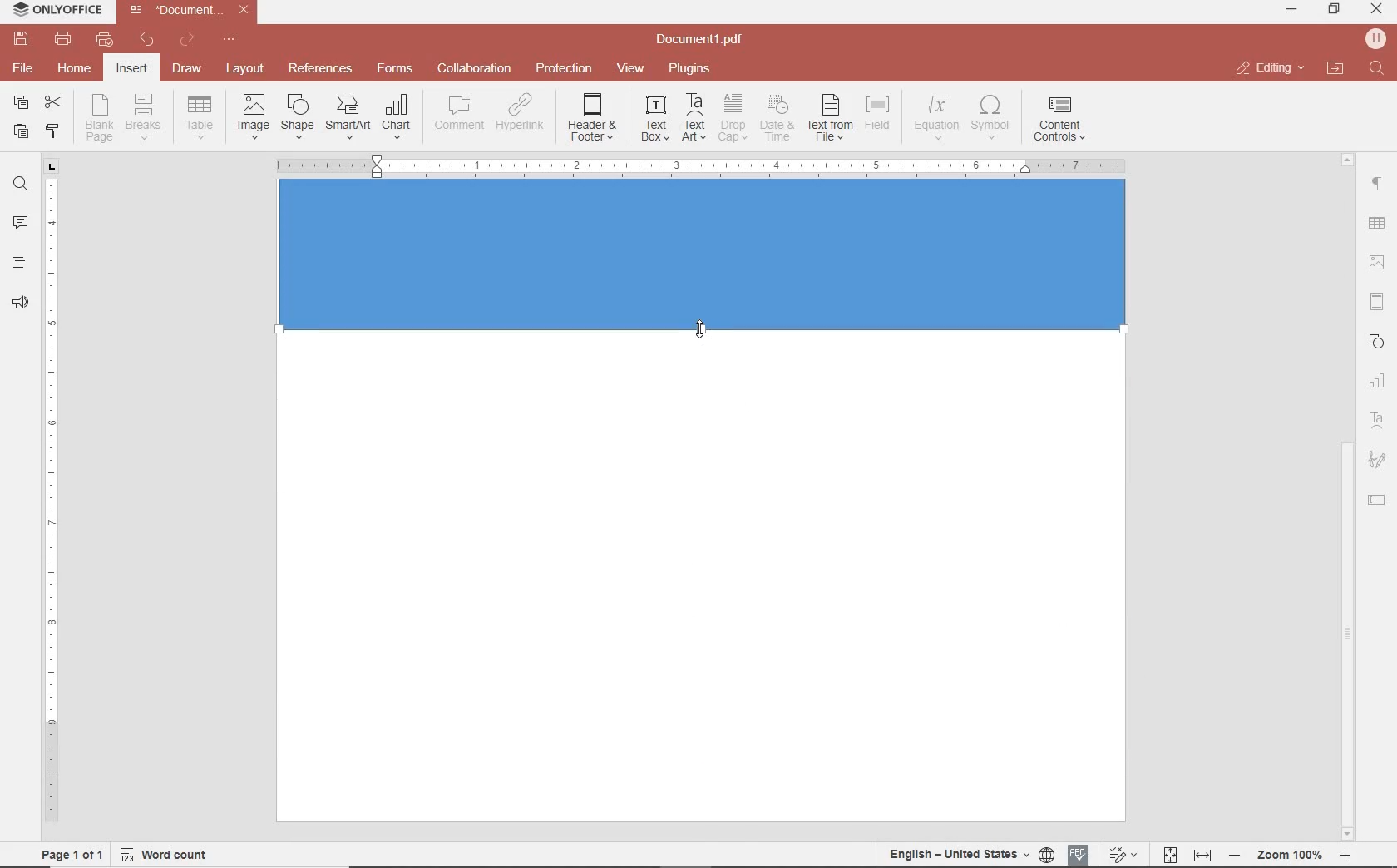 The height and width of the screenshot is (868, 1397). I want to click on close, so click(1269, 68).